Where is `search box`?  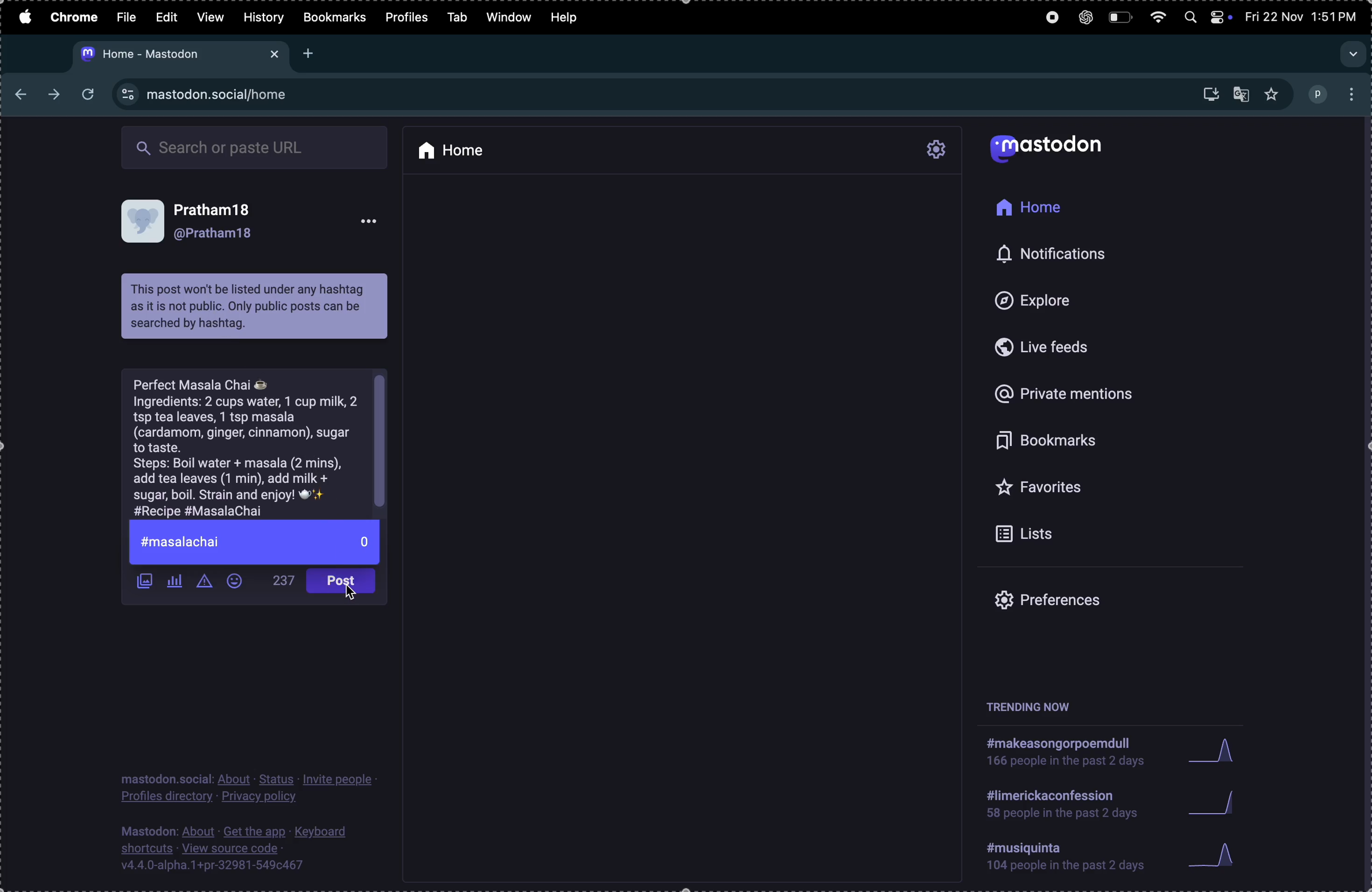
search box is located at coordinates (253, 149).